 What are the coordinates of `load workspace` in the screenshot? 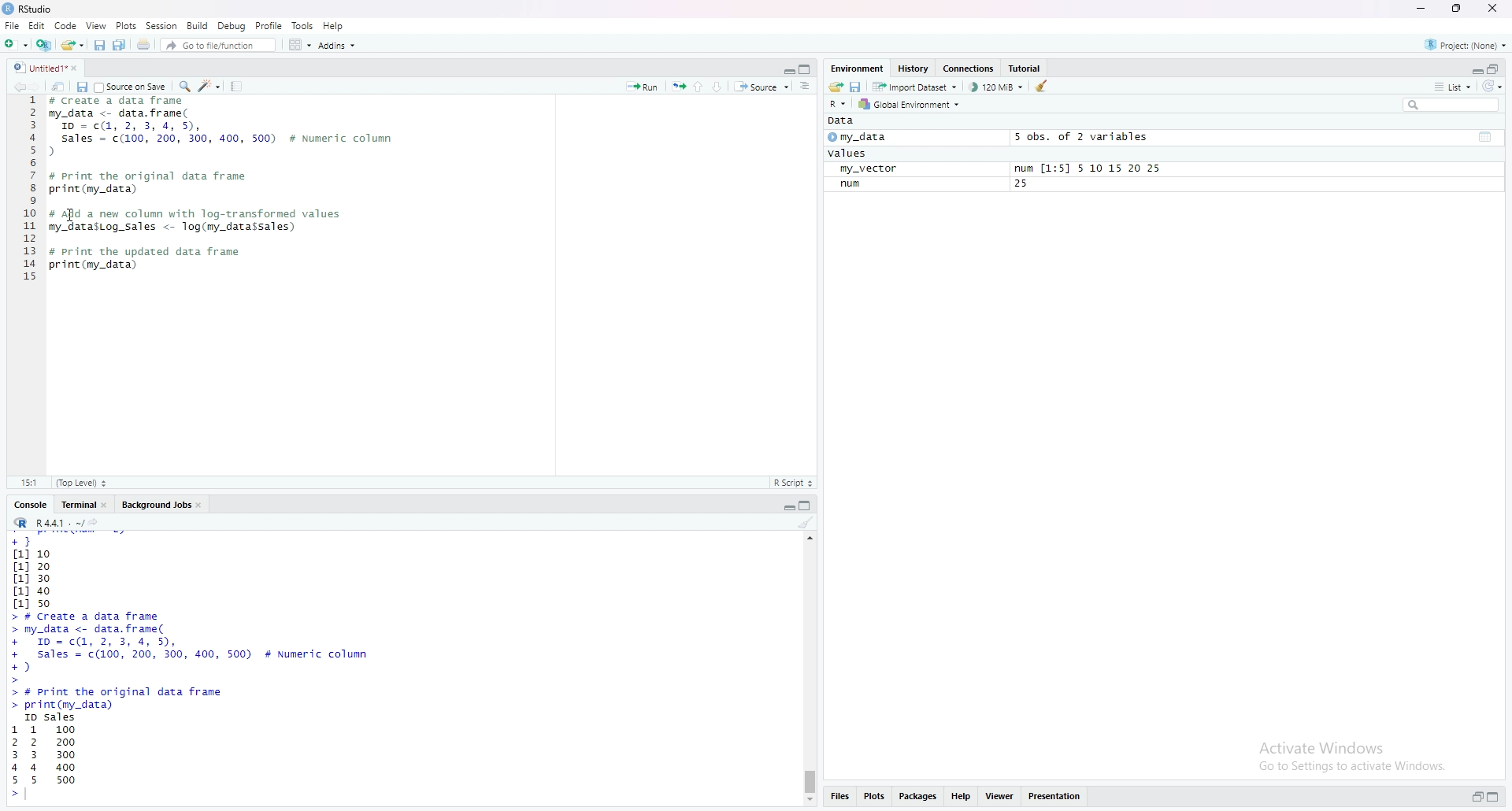 It's located at (833, 87).